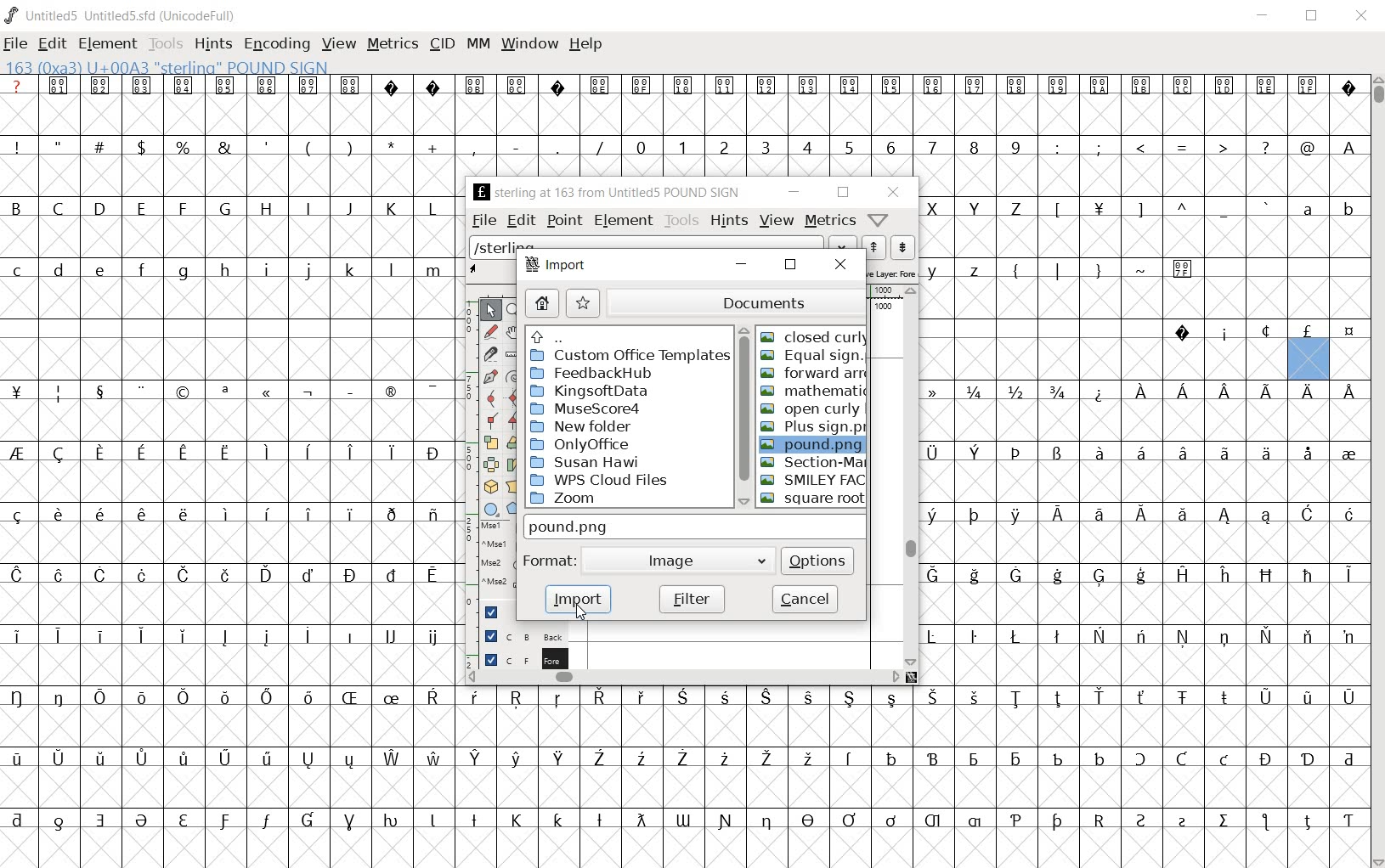  What do you see at coordinates (20, 759) in the screenshot?
I see `Symbol` at bounding box center [20, 759].